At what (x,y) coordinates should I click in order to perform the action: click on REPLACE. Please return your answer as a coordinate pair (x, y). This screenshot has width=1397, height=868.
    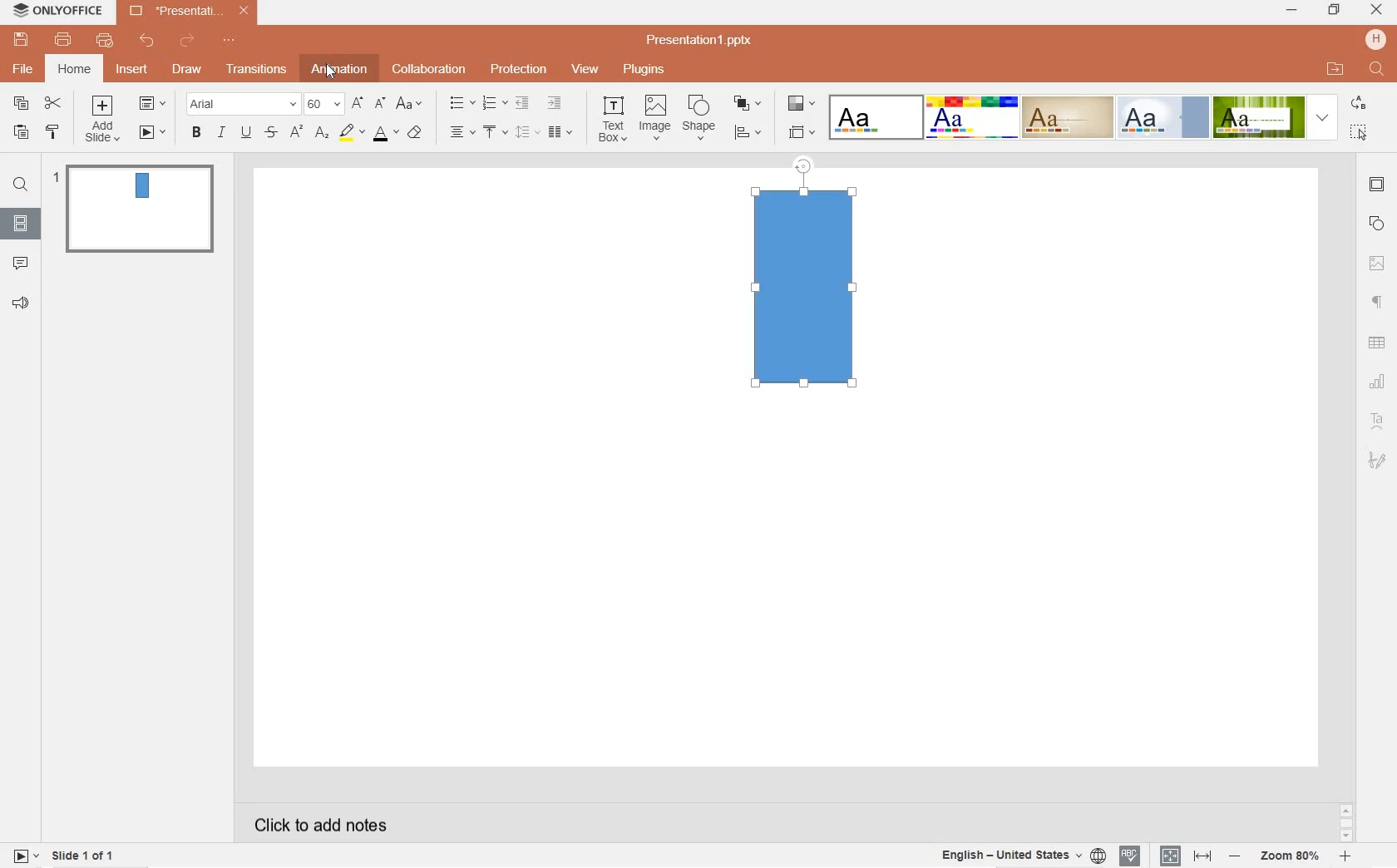
    Looking at the image, I should click on (1358, 104).